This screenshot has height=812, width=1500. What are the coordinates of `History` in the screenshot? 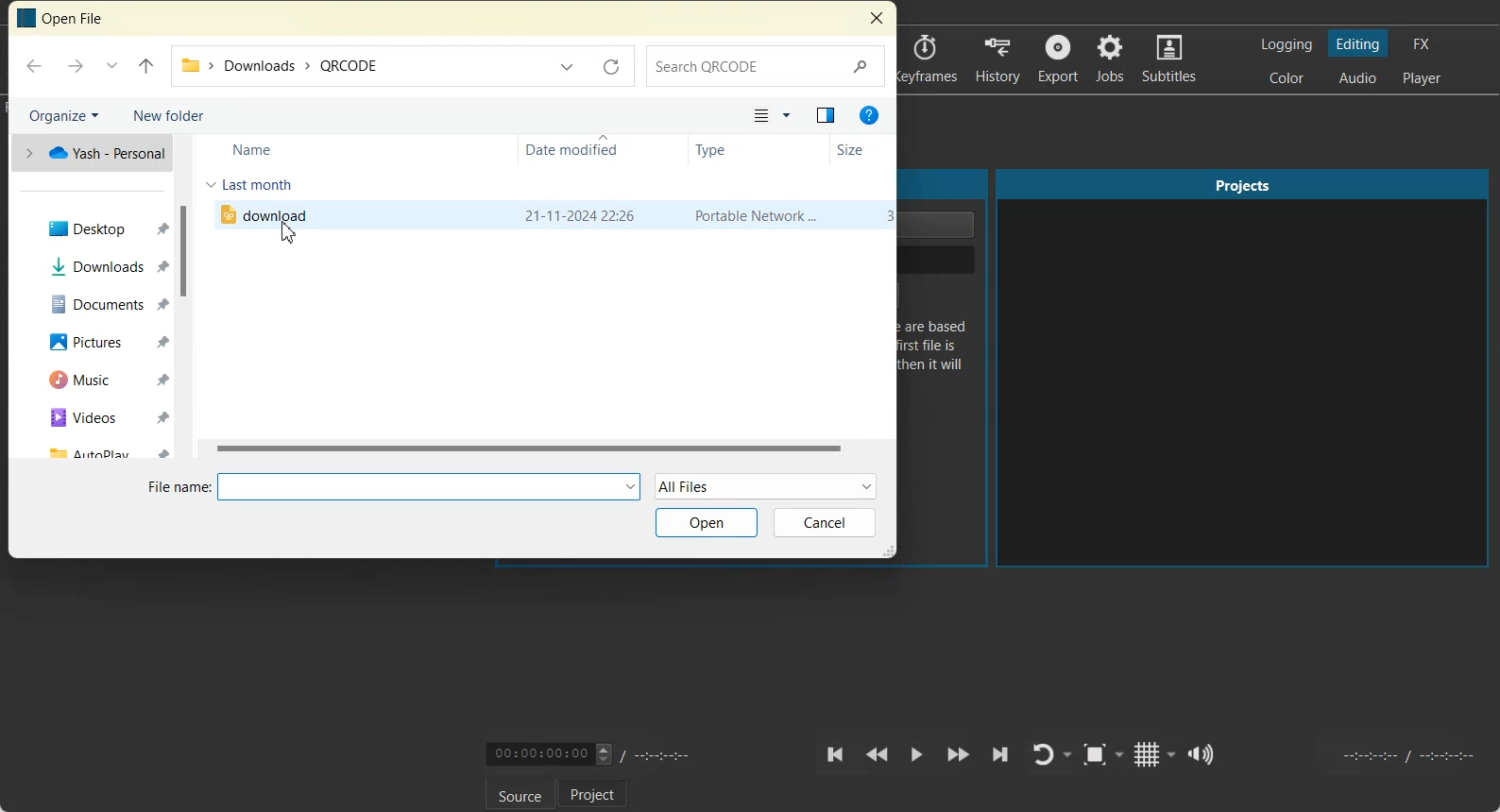 It's located at (997, 59).